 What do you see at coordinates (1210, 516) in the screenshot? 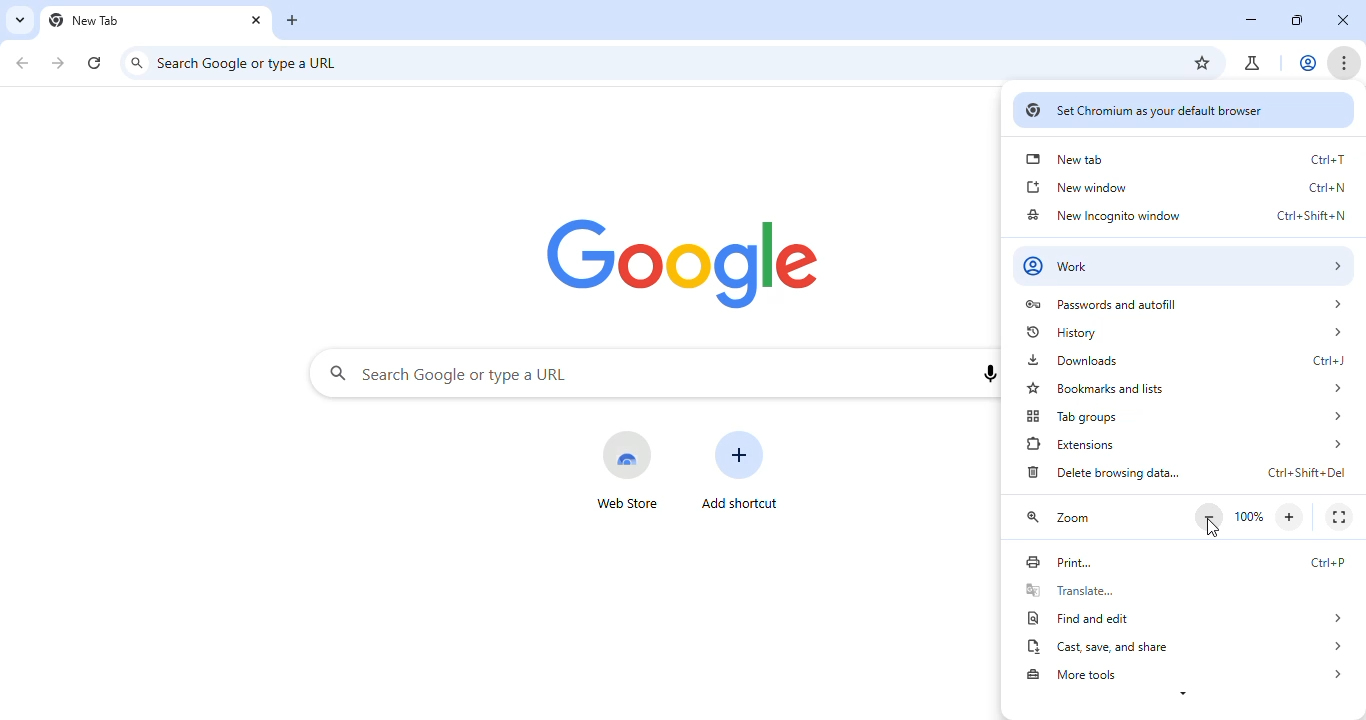
I see `zoom out` at bounding box center [1210, 516].